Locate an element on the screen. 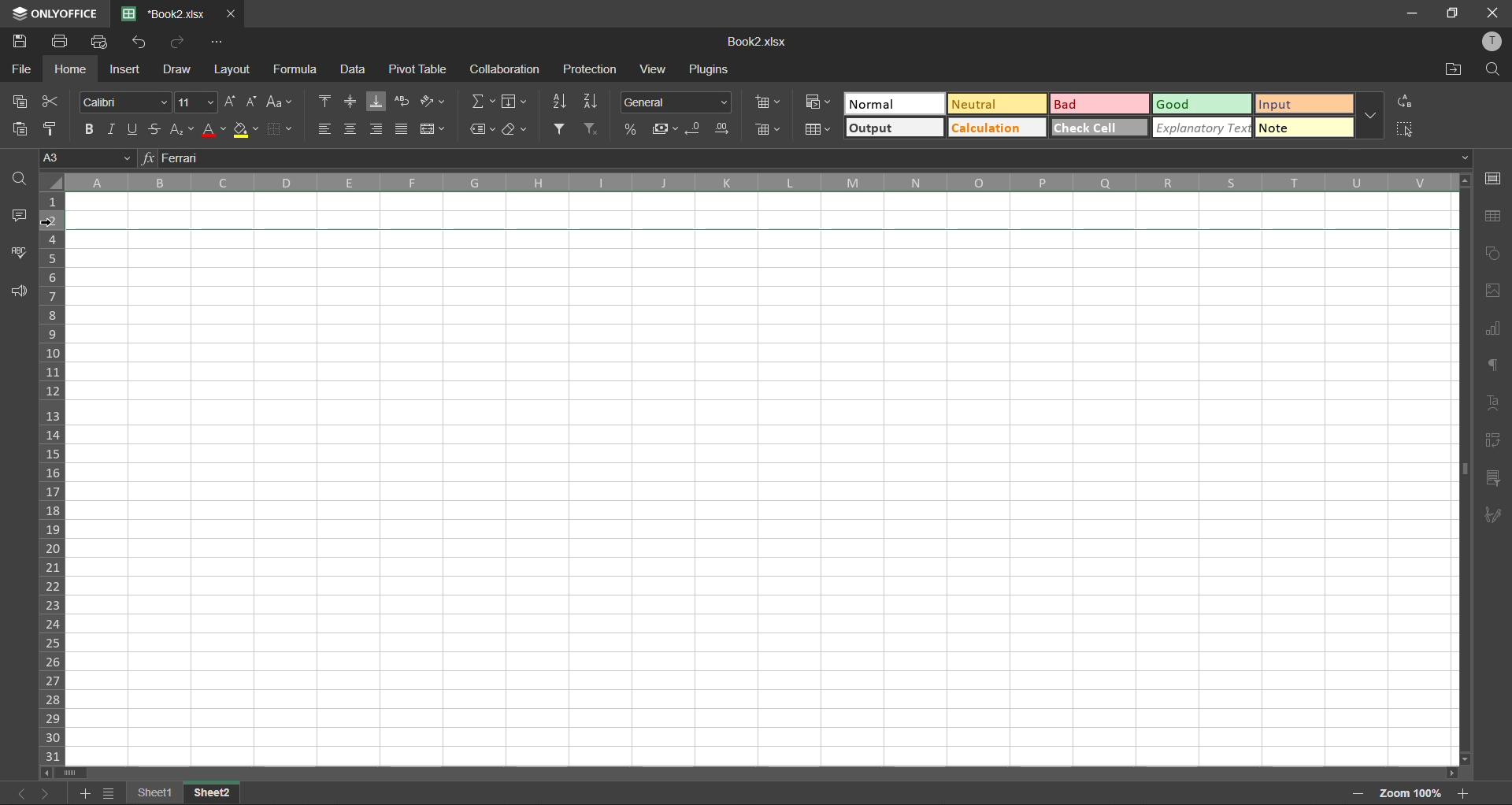  previous is located at coordinates (17, 792).